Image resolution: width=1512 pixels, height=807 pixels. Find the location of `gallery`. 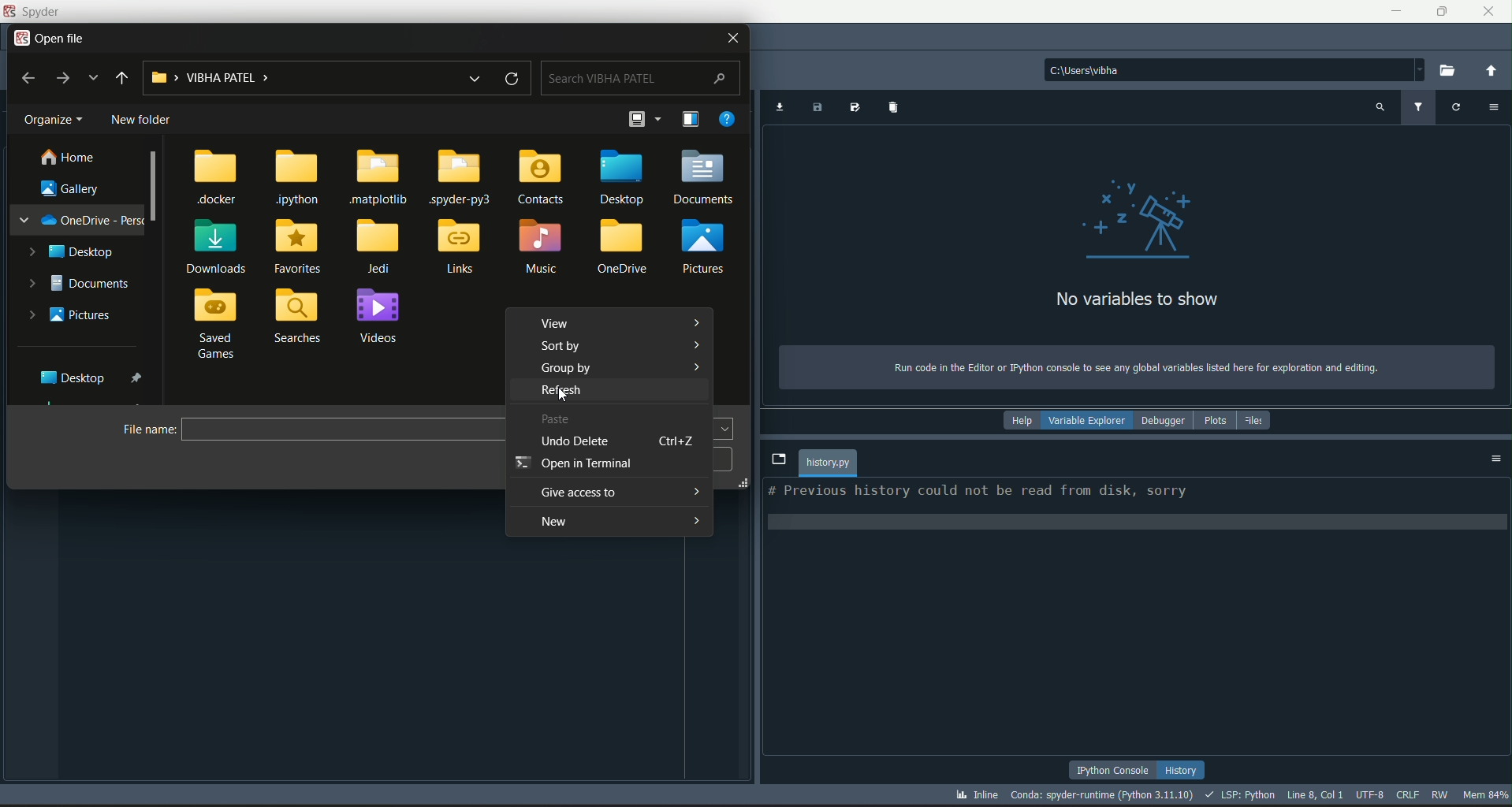

gallery is located at coordinates (73, 189).